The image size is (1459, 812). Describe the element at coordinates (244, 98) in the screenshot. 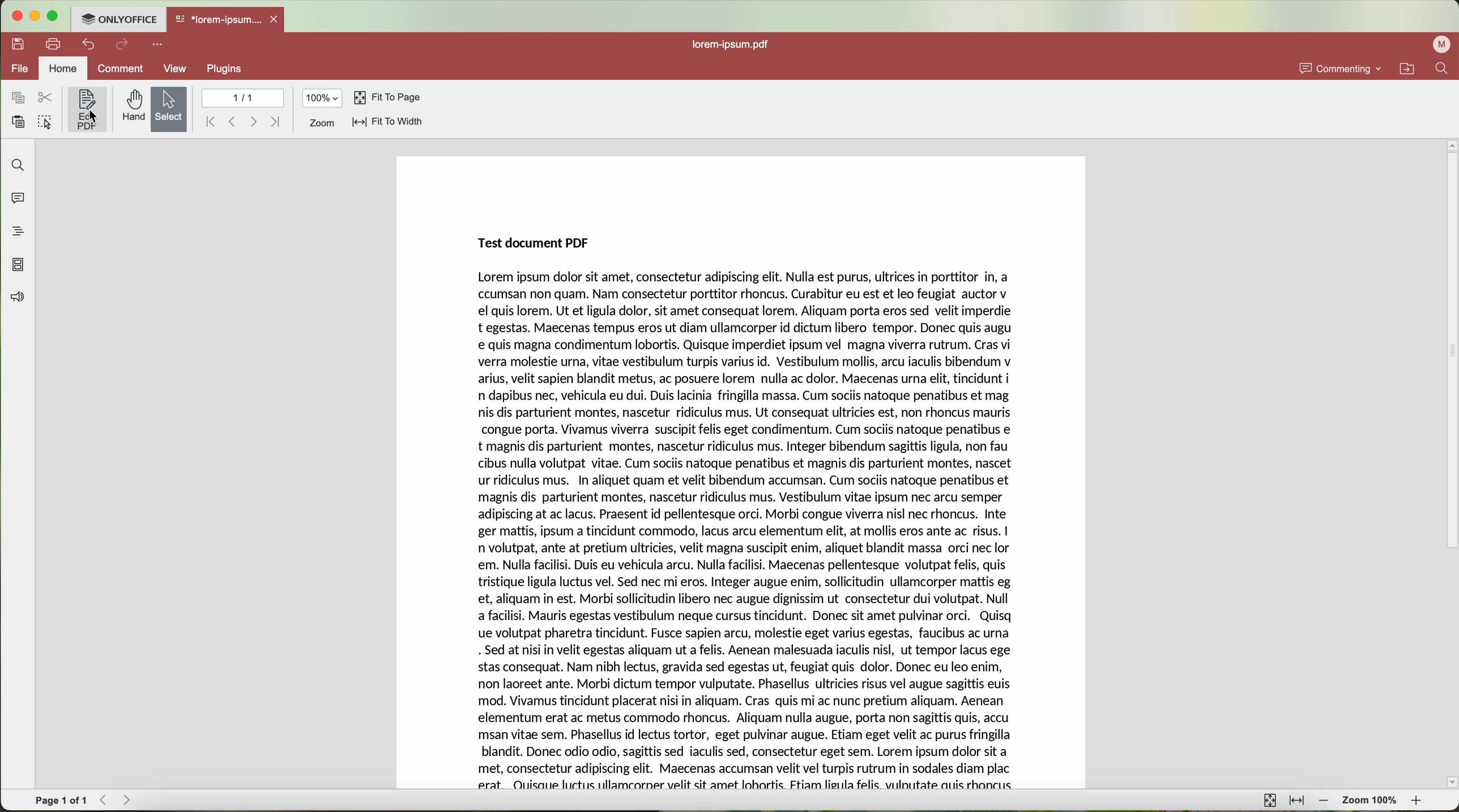

I see `1/1` at that location.